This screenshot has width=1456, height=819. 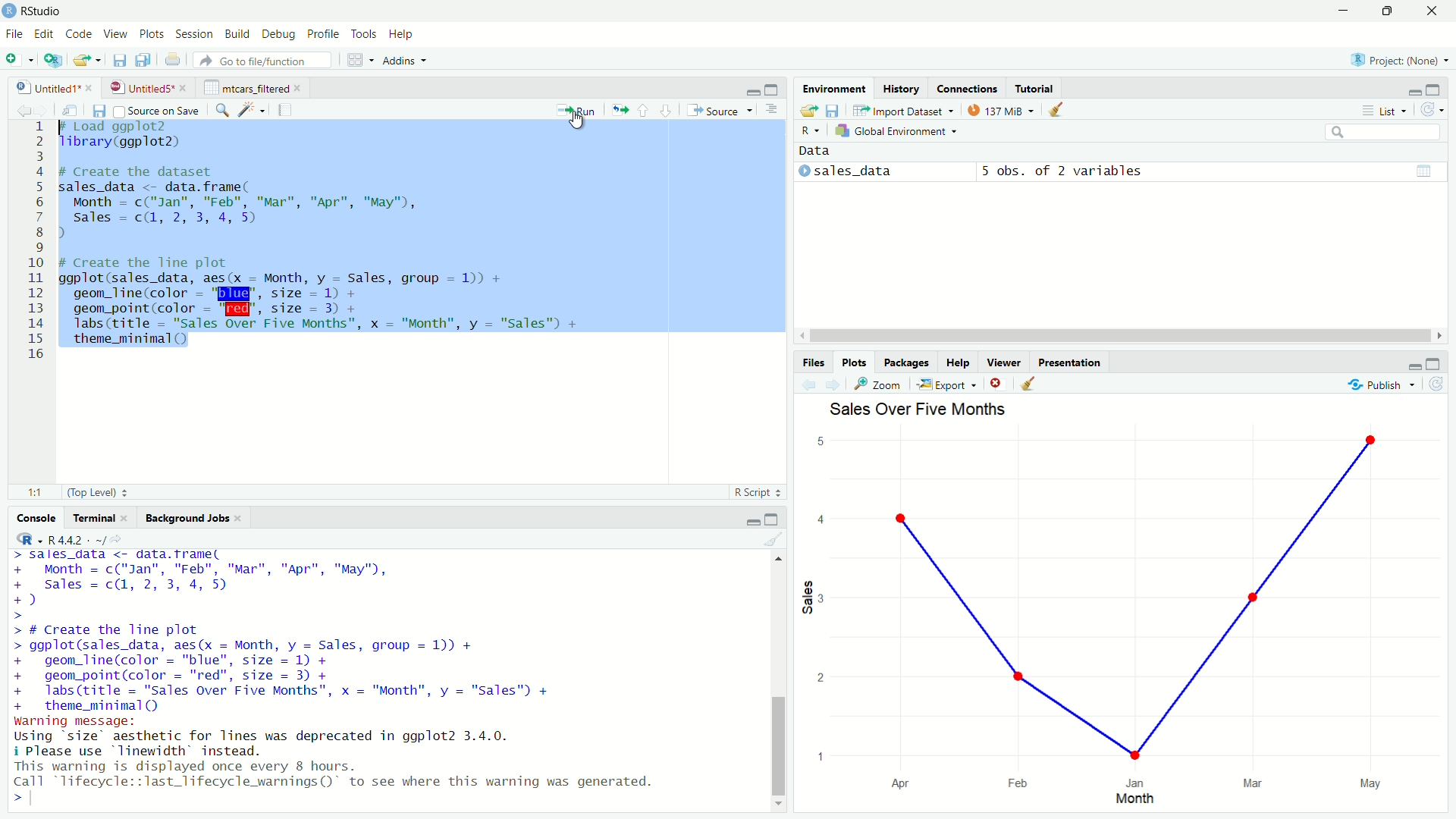 I want to click on open a existing file, so click(x=84, y=61).